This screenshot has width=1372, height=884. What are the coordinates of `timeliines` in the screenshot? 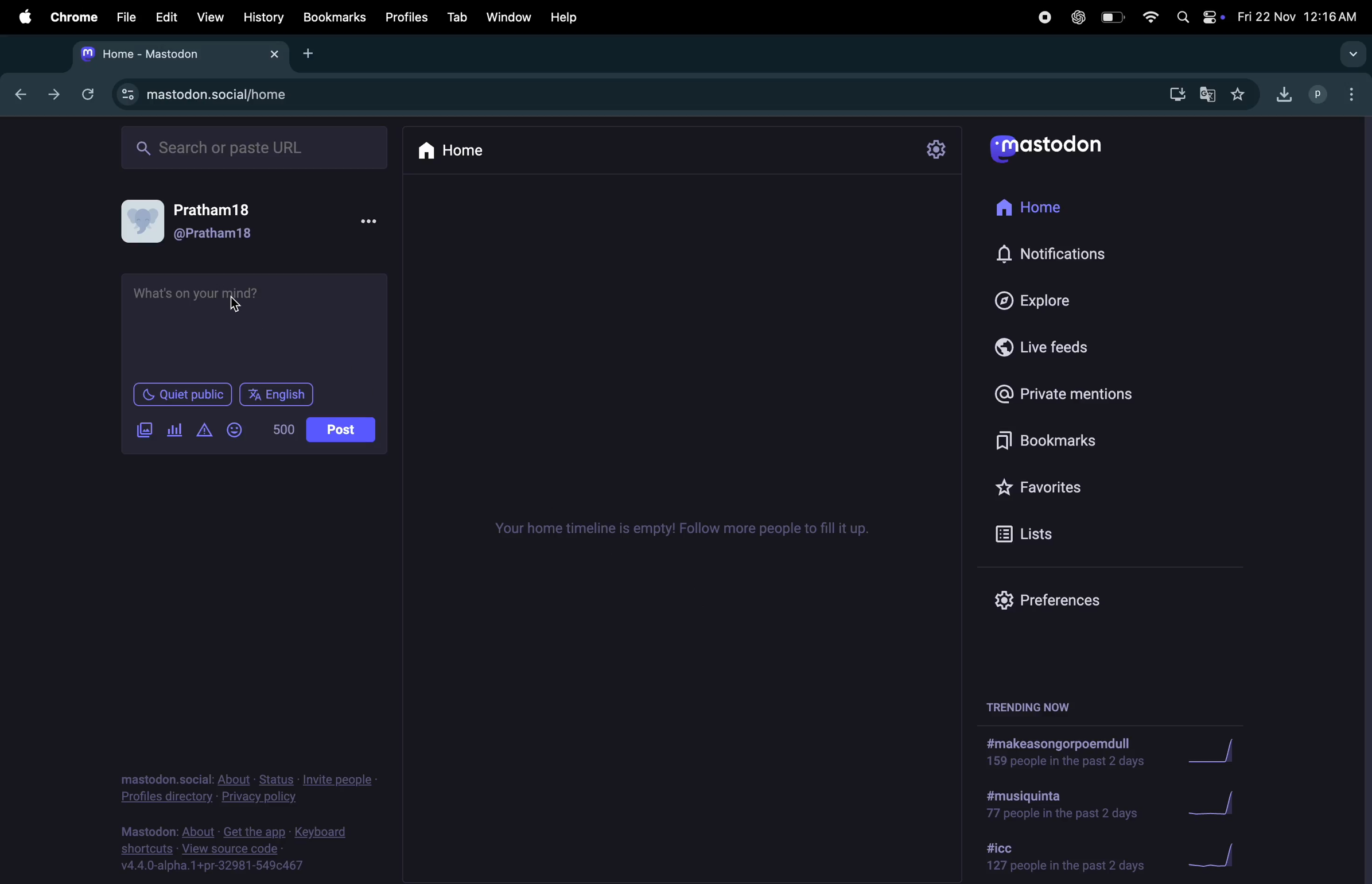 It's located at (693, 525).